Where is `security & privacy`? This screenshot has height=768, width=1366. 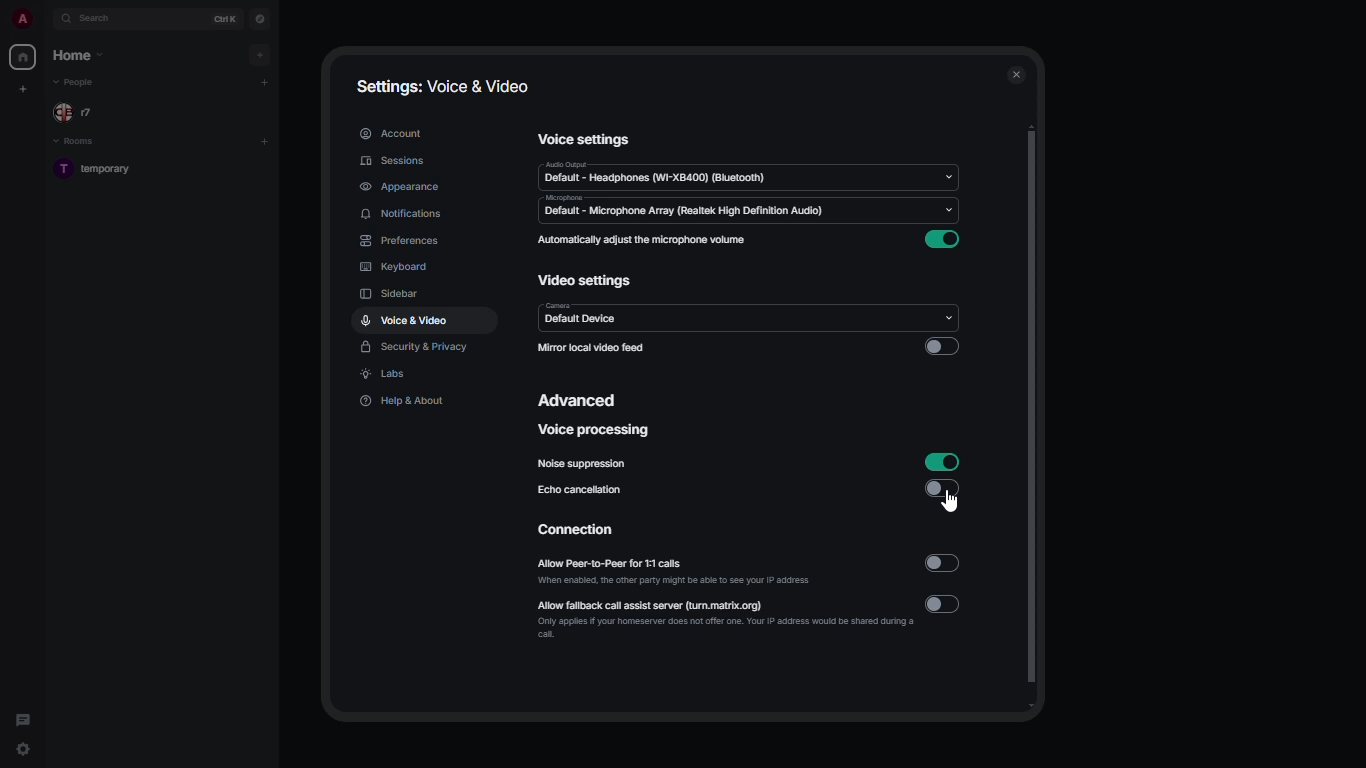 security & privacy is located at coordinates (417, 347).